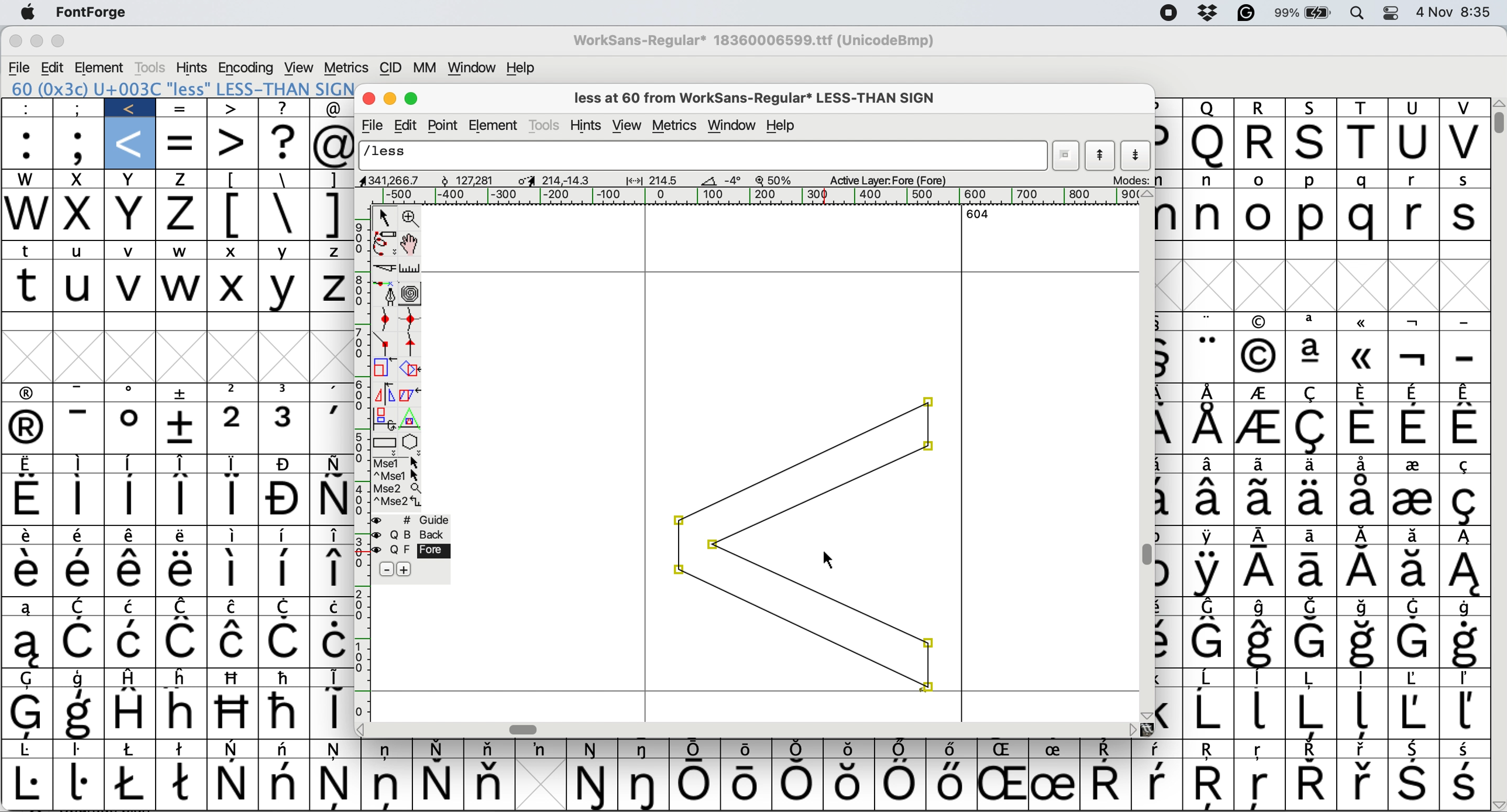 This screenshot has height=812, width=1507. What do you see at coordinates (383, 370) in the screenshot?
I see `scale glyph` at bounding box center [383, 370].